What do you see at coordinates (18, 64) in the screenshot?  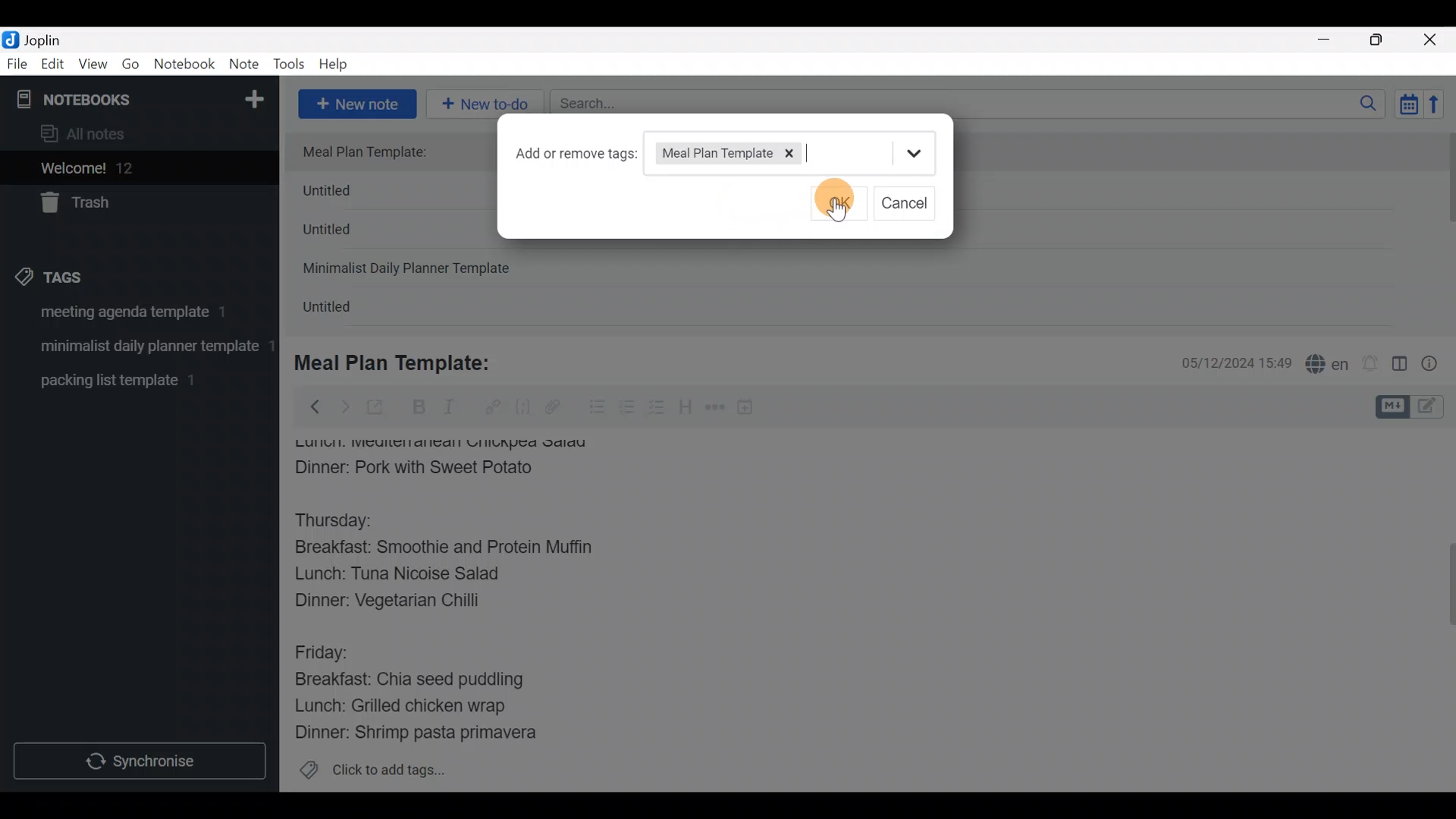 I see `File` at bounding box center [18, 64].